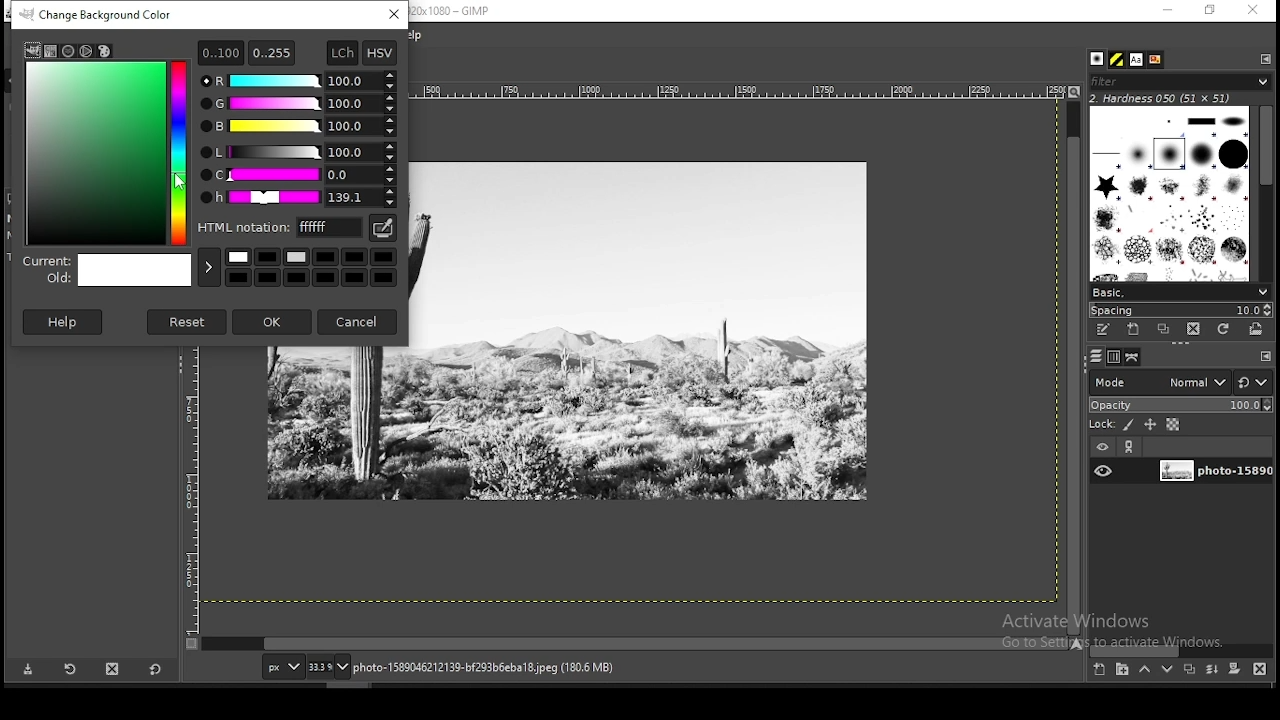 The width and height of the screenshot is (1280, 720). Describe the element at coordinates (1178, 291) in the screenshot. I see `select brush preset` at that location.